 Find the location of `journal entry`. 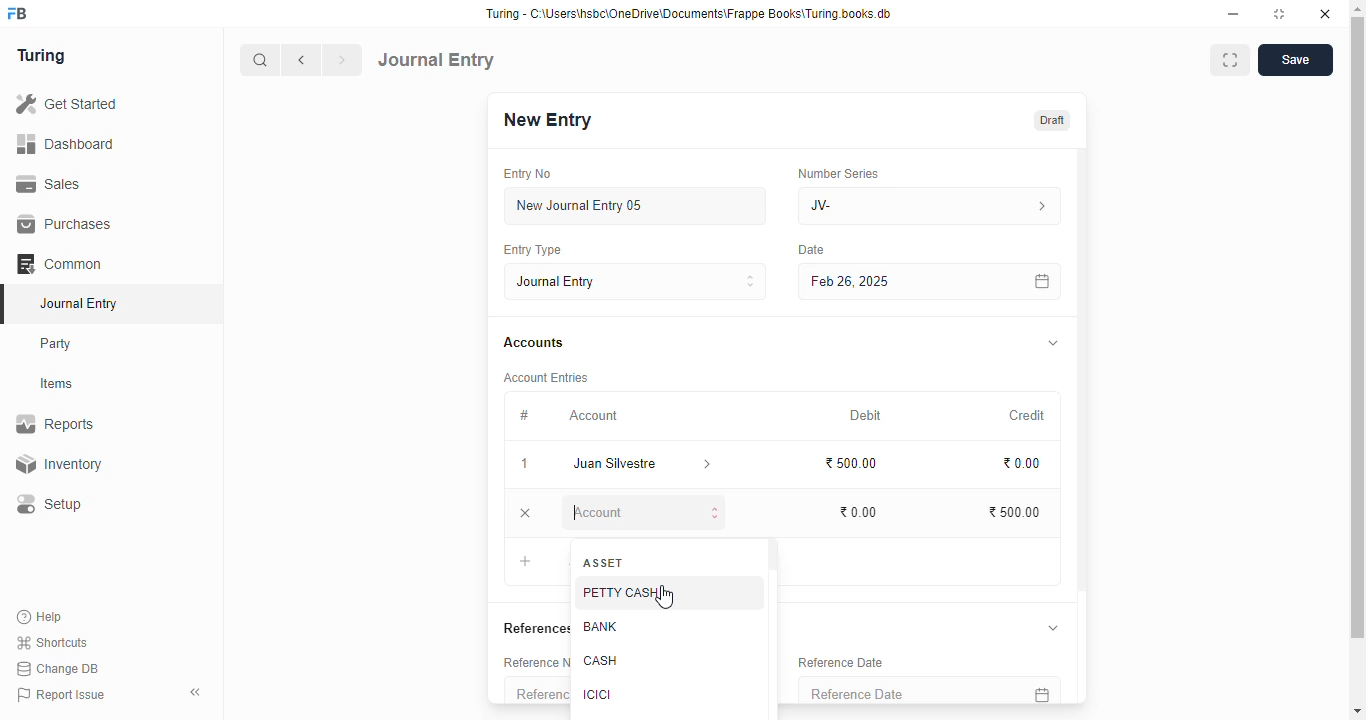

journal entry is located at coordinates (437, 59).